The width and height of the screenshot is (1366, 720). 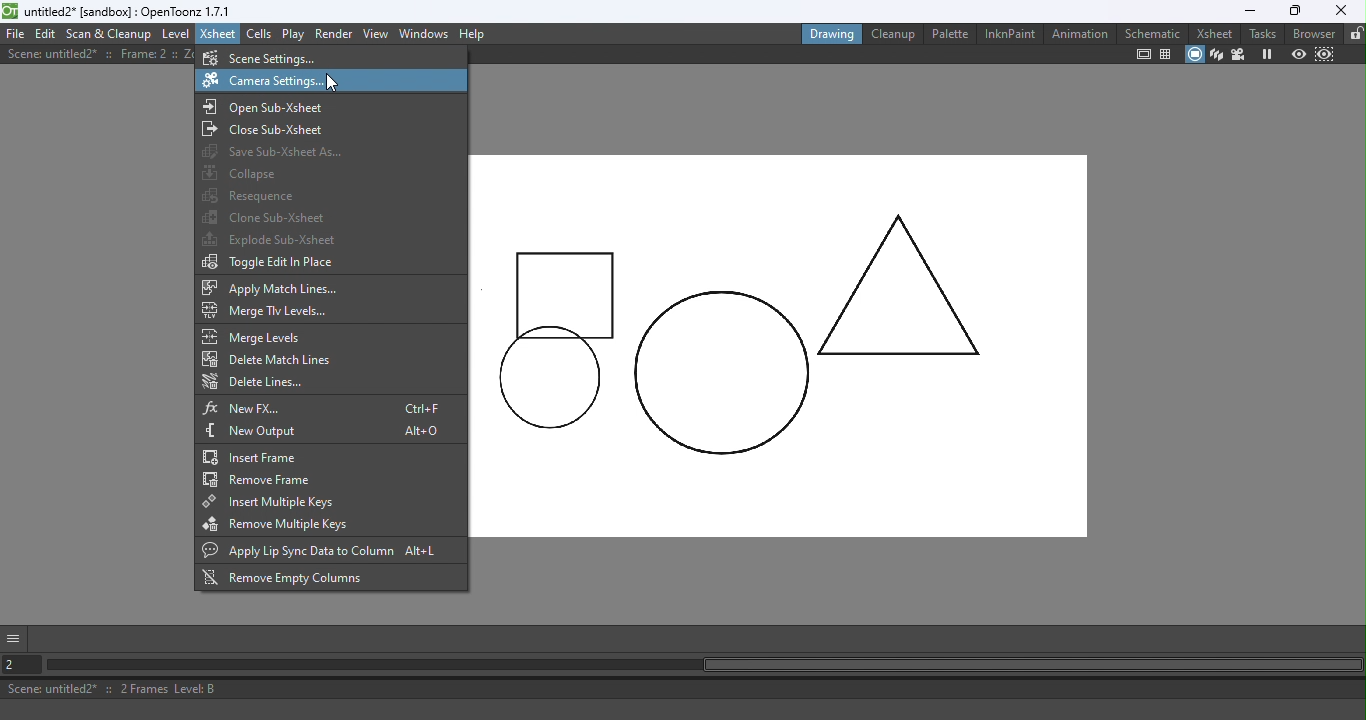 I want to click on Apply match lines, so click(x=277, y=288).